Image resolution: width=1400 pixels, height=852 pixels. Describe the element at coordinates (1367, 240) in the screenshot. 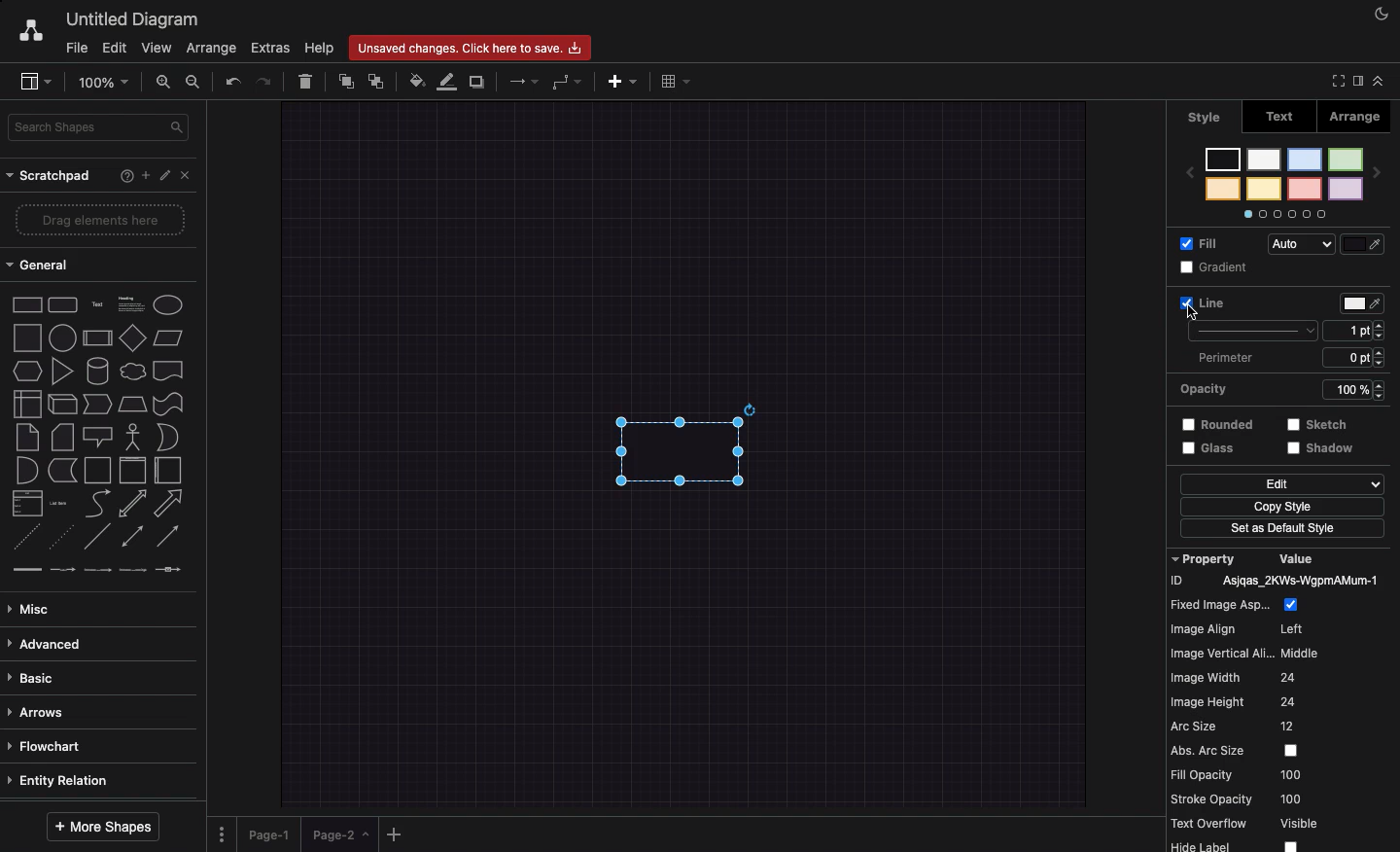

I see `Line color` at that location.